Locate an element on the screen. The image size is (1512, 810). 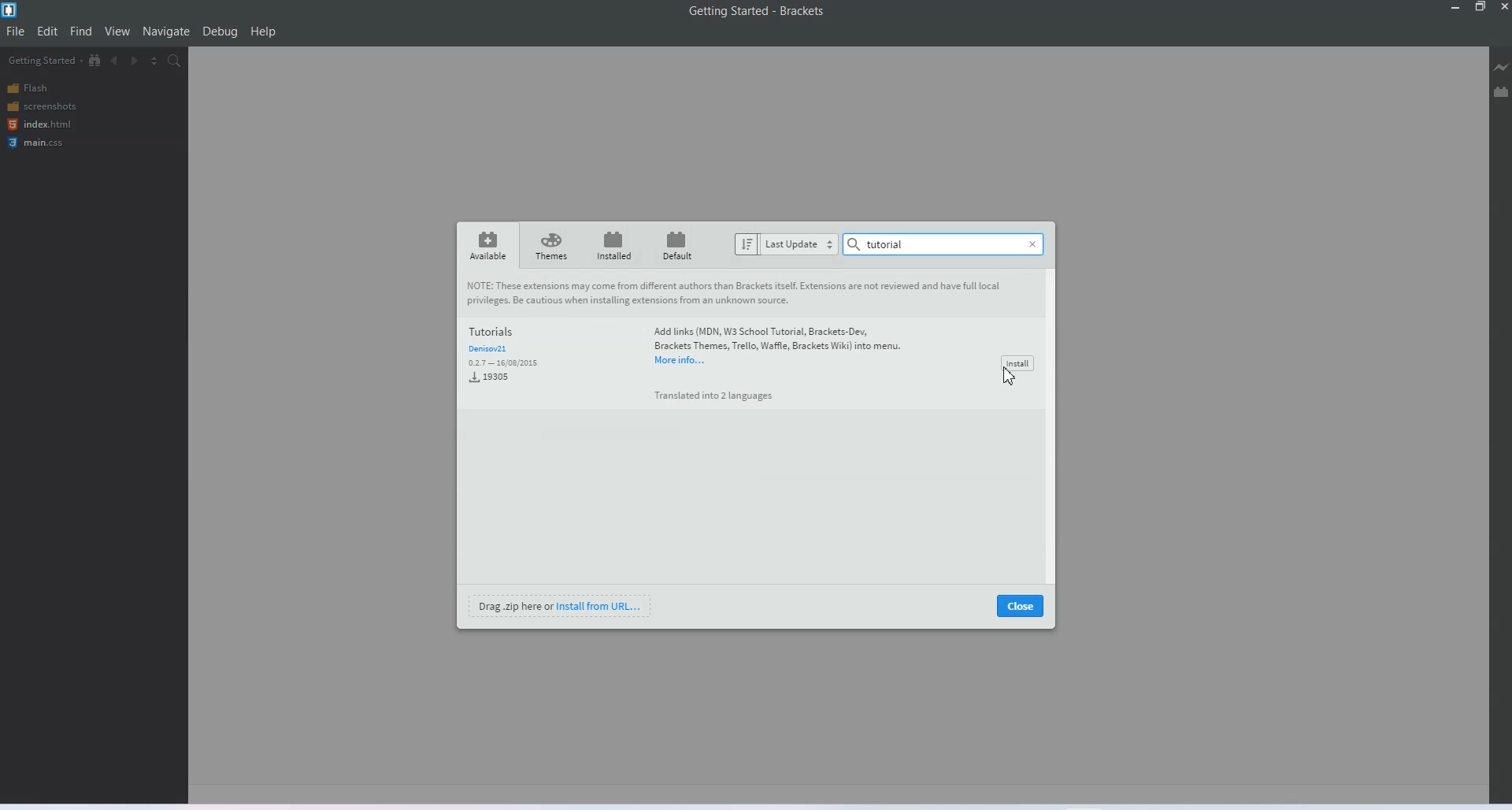
File is located at coordinates (16, 31).